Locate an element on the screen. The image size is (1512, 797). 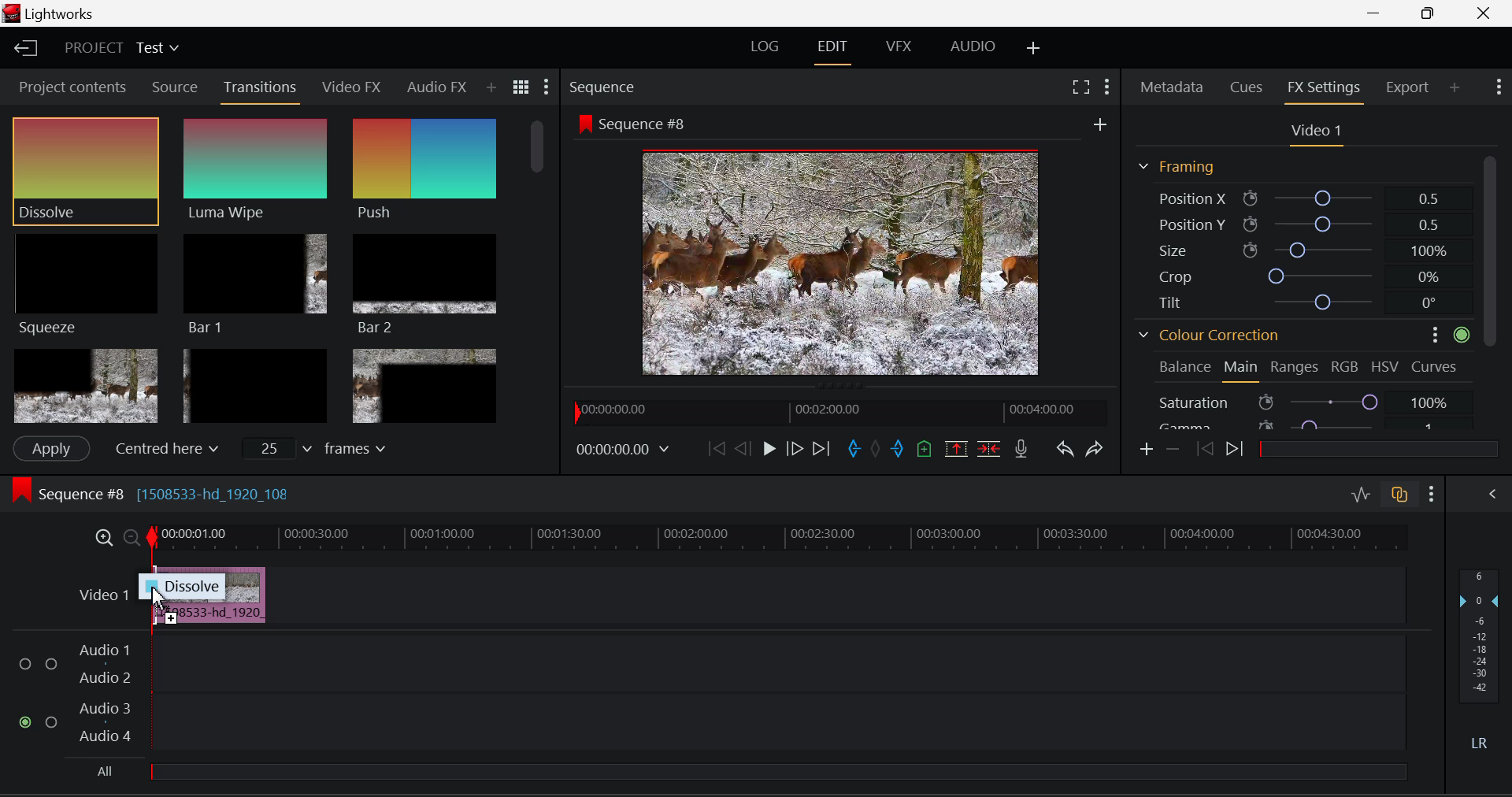
Audio Input Field is located at coordinates (776, 724).